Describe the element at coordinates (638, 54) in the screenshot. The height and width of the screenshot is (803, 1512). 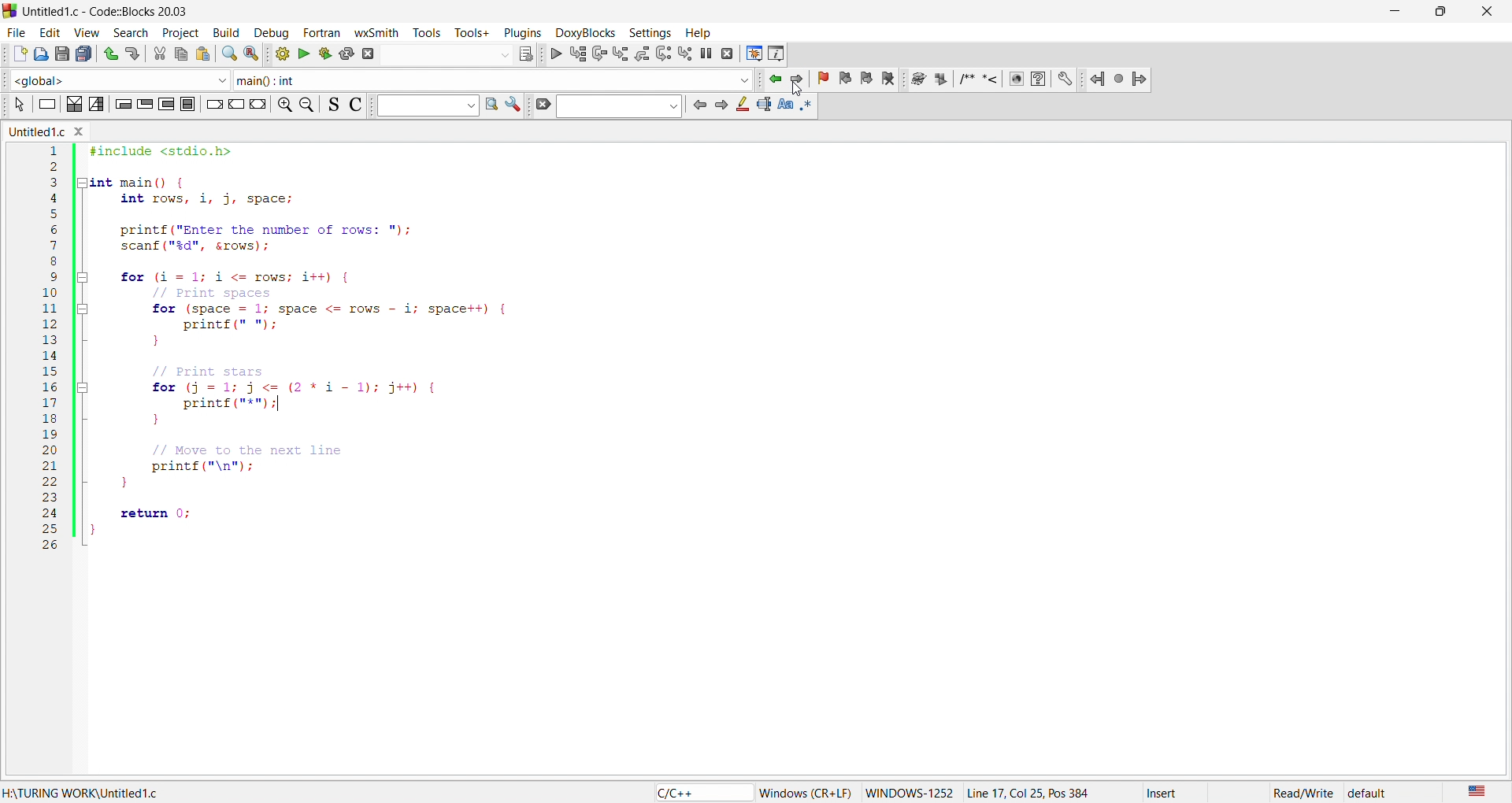
I see `debug icons` at that location.